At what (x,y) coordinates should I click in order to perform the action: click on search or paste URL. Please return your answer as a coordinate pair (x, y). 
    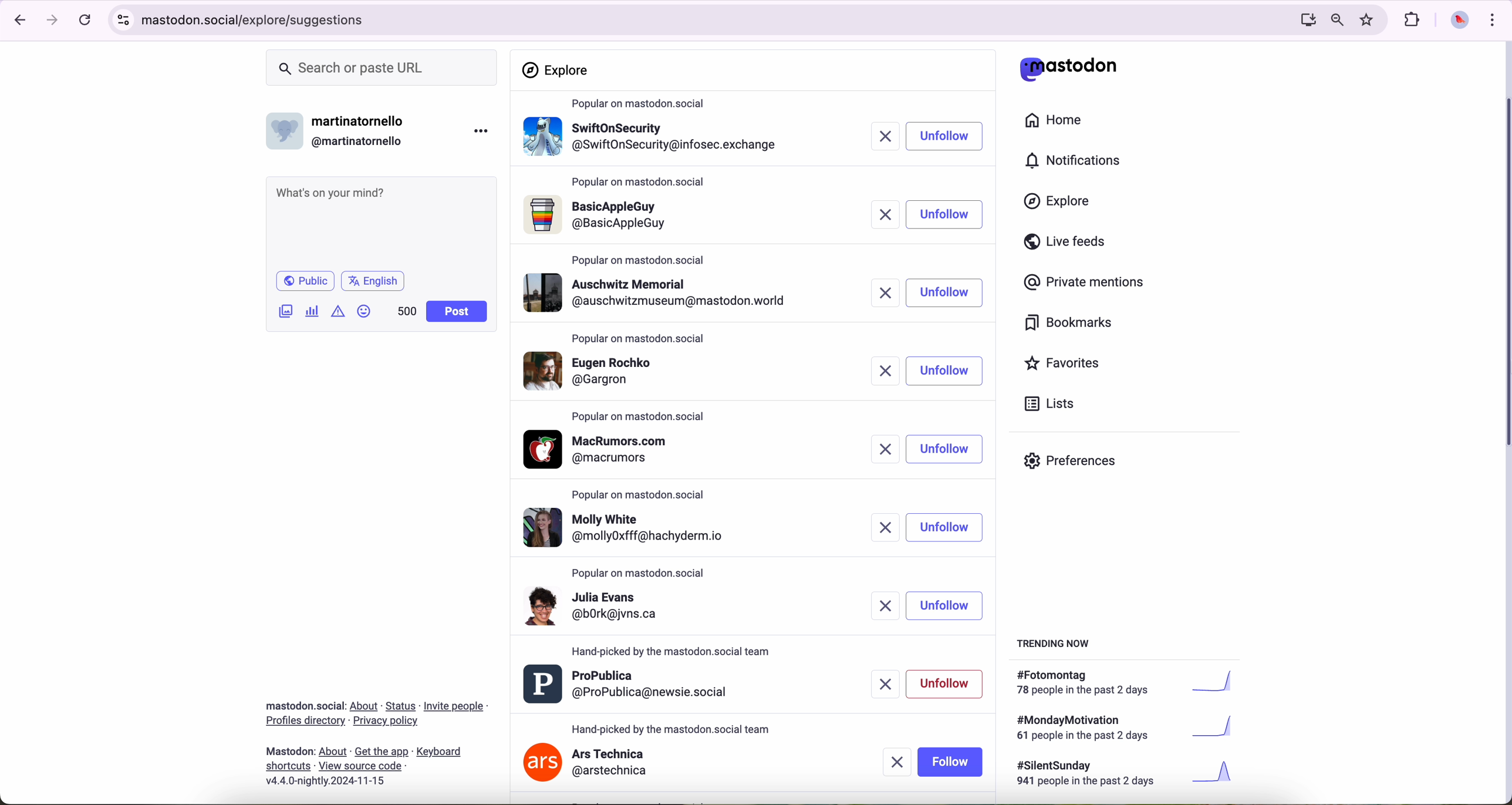
    Looking at the image, I should click on (382, 68).